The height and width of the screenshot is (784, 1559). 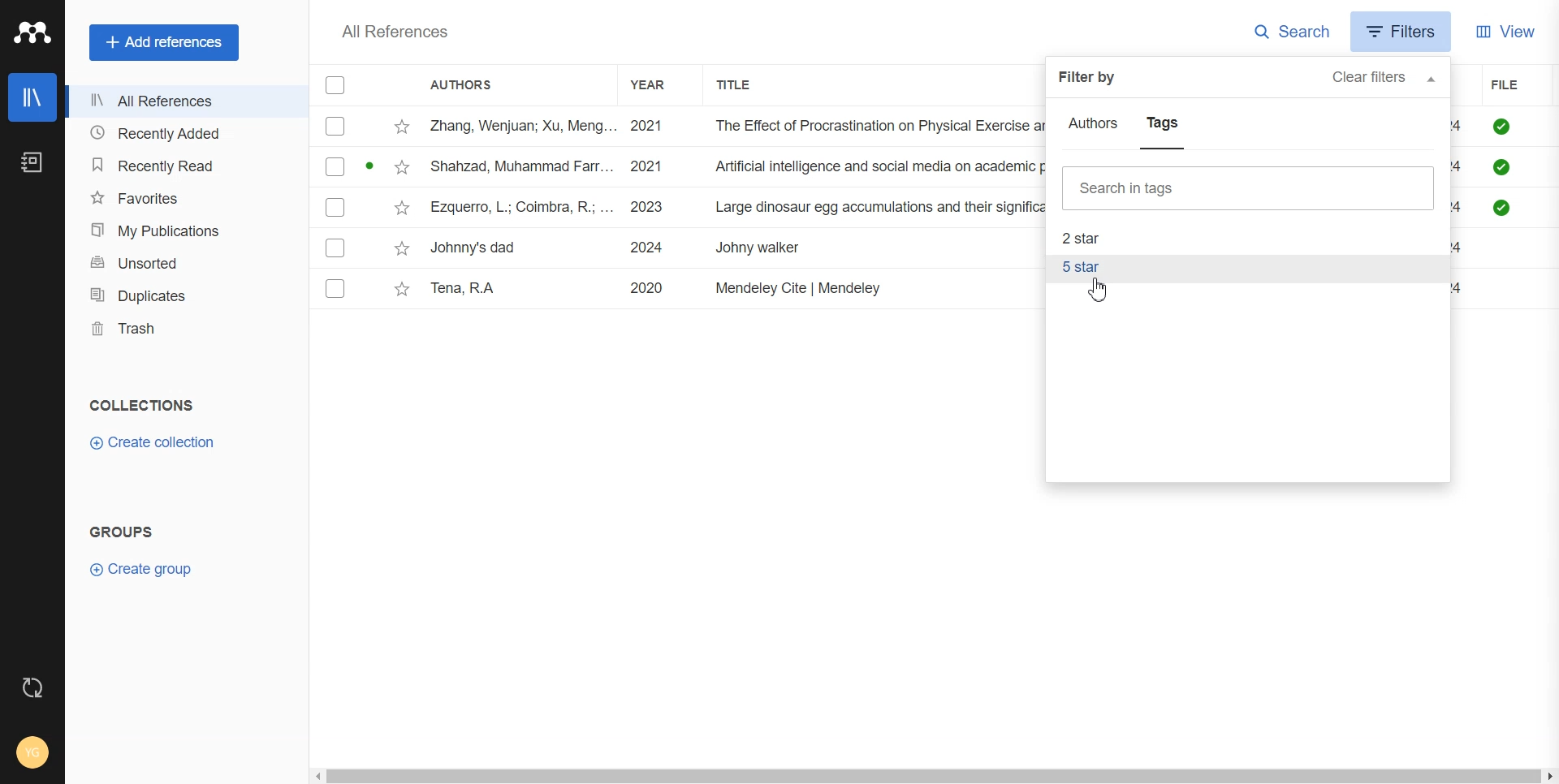 What do you see at coordinates (920, 773) in the screenshot?
I see `Horizontal scroll bar` at bounding box center [920, 773].